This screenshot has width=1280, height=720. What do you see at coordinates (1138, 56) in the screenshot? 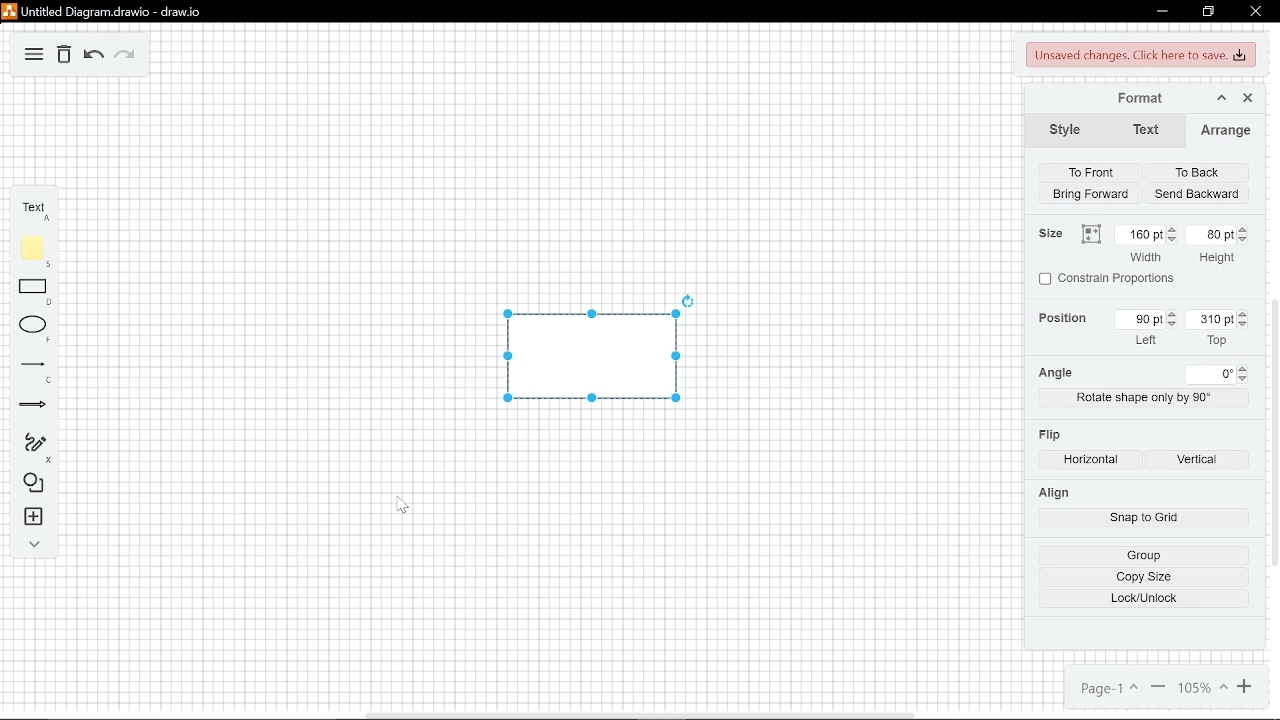
I see `unsaved changes. Click here to save ` at bounding box center [1138, 56].